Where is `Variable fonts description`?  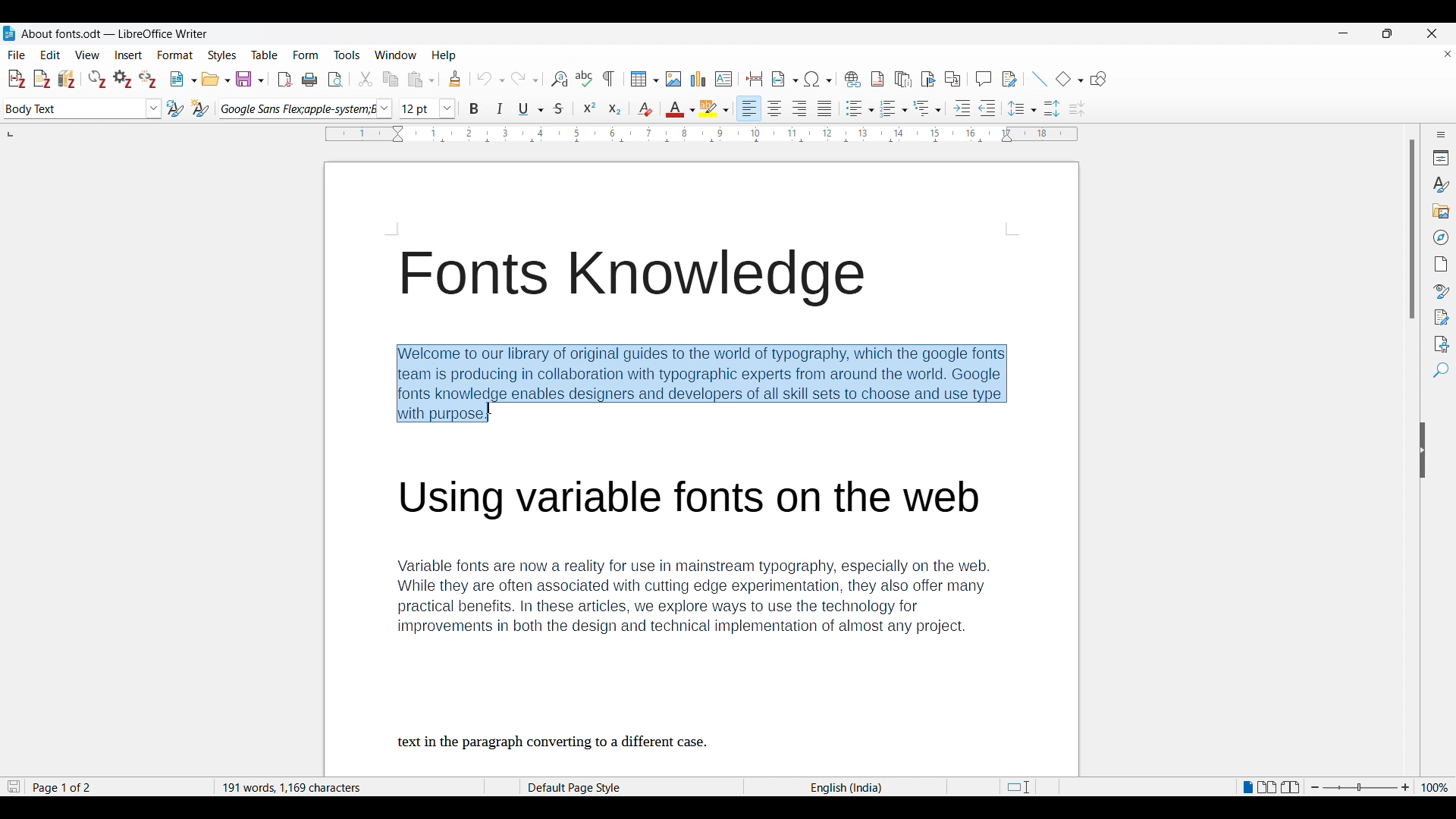 Variable fonts description is located at coordinates (704, 600).